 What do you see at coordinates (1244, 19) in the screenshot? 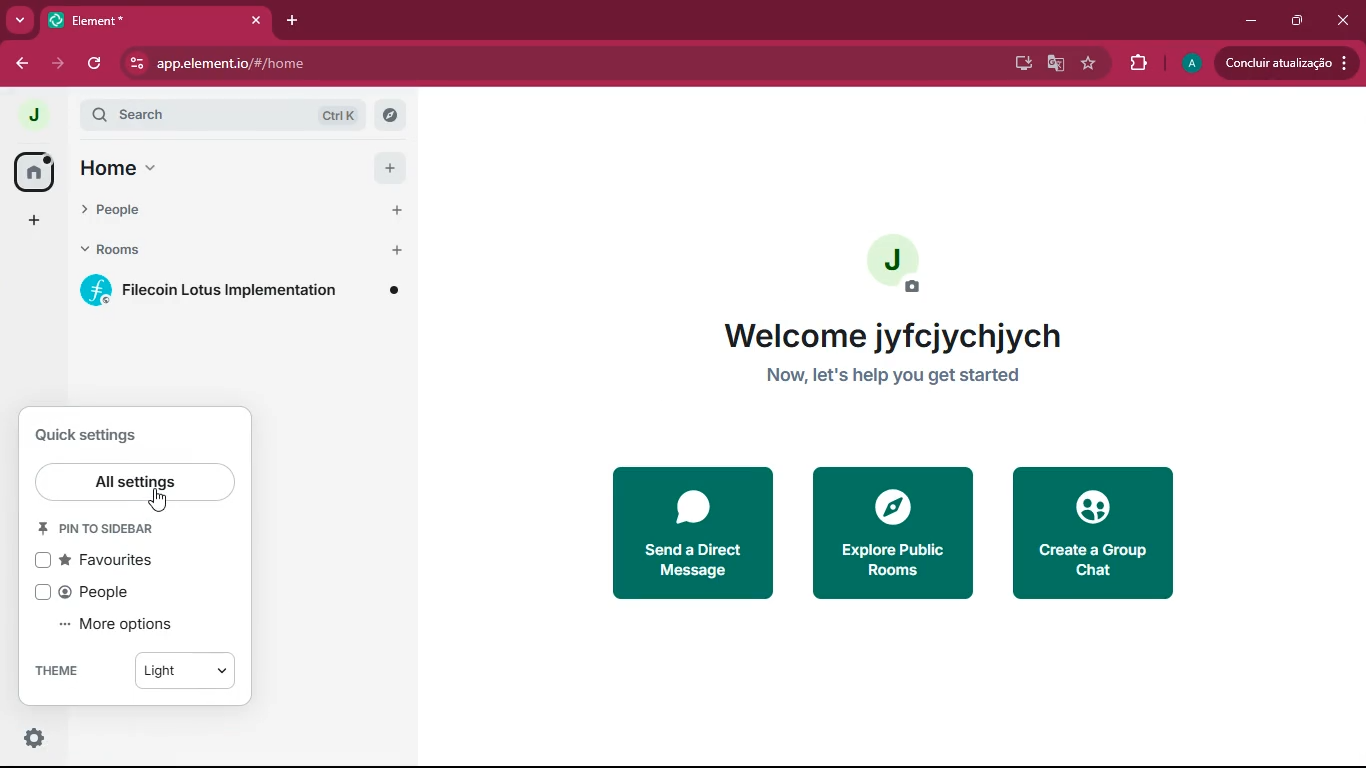
I see `minimize` at bounding box center [1244, 19].